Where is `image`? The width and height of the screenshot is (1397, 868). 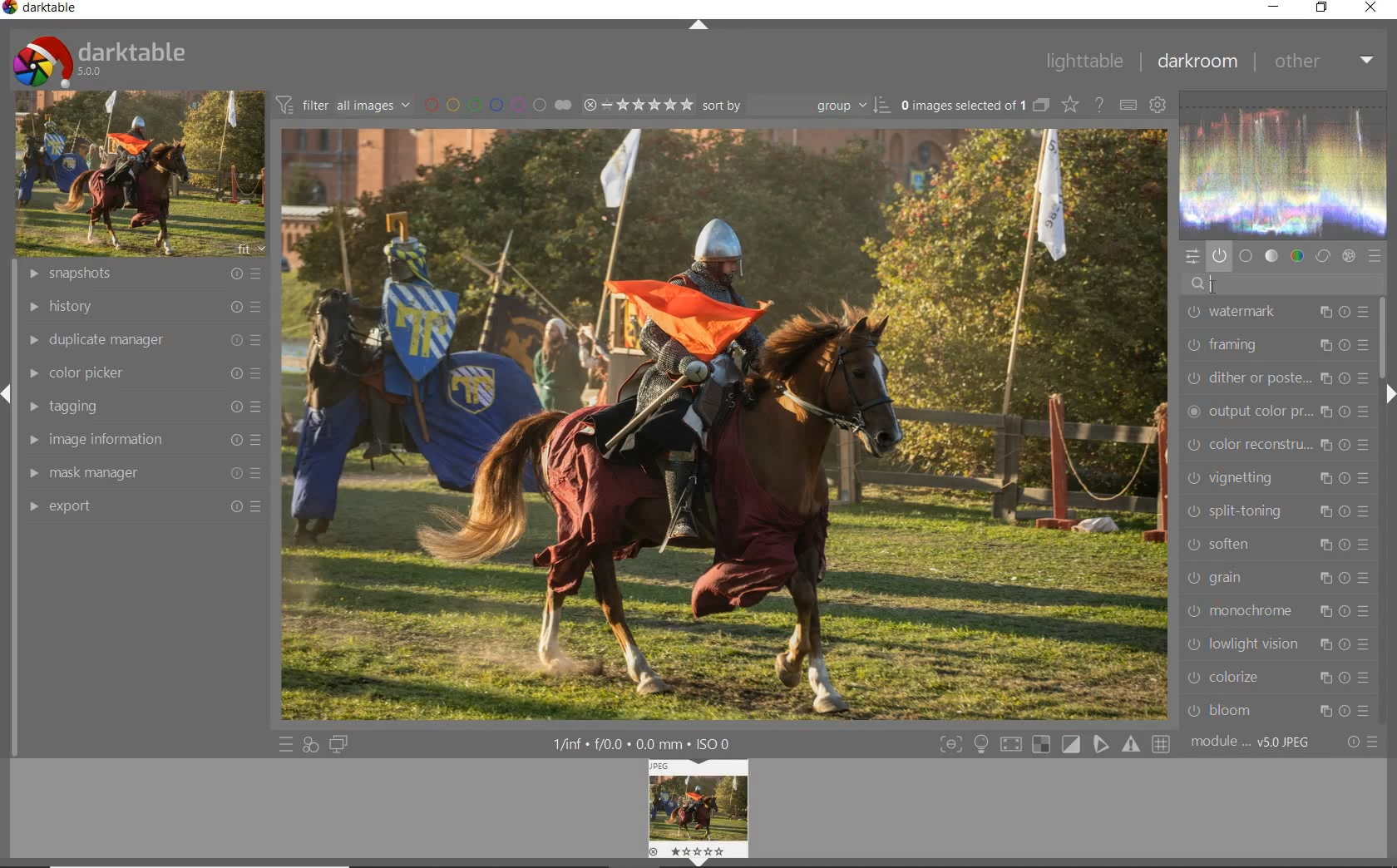 image is located at coordinates (141, 174).